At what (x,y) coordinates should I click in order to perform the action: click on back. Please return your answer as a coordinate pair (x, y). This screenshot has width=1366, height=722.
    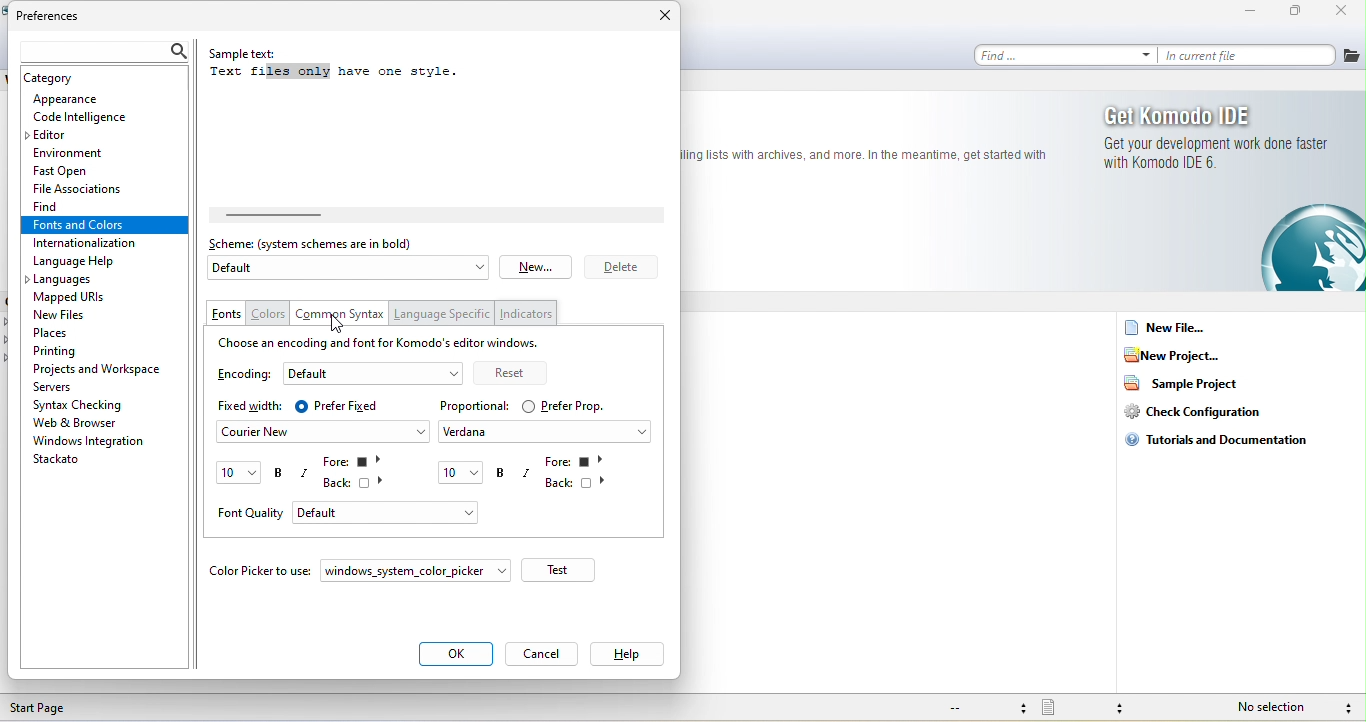
    Looking at the image, I should click on (578, 486).